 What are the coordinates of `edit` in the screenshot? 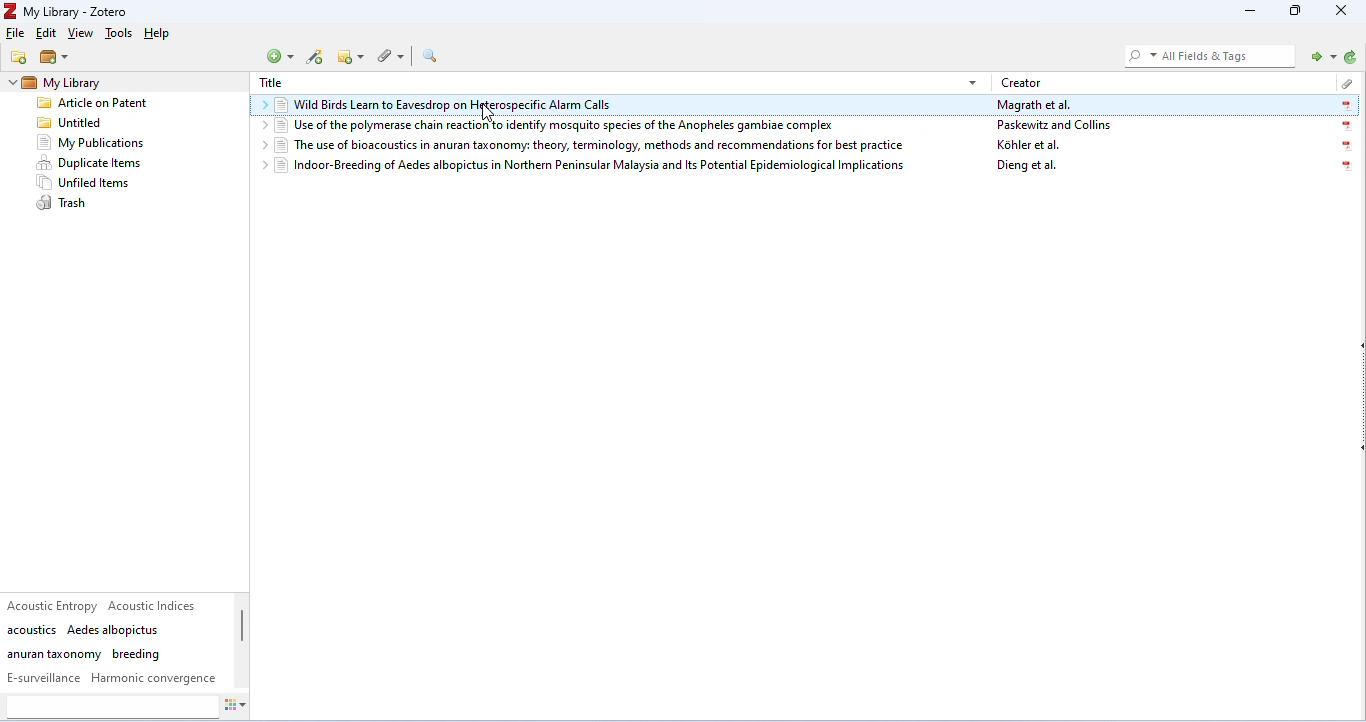 It's located at (45, 35).